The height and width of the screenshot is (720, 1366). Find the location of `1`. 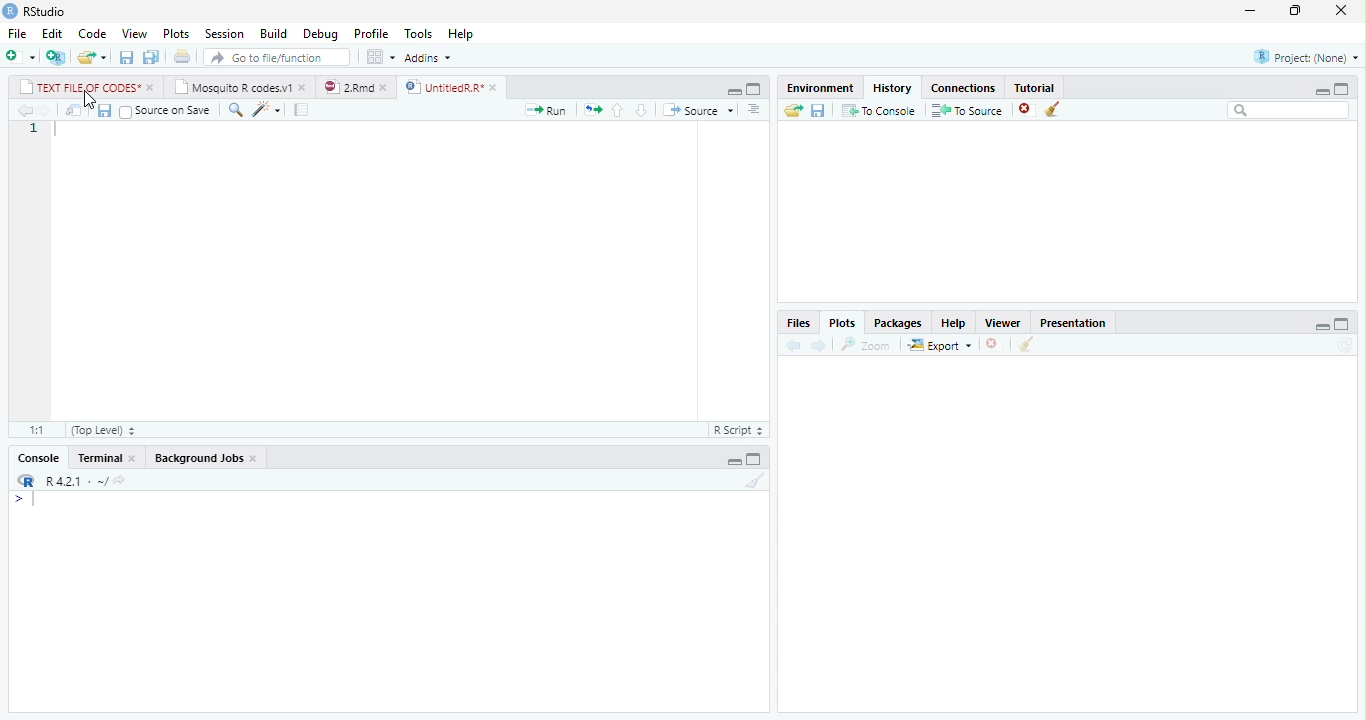

1 is located at coordinates (34, 129).